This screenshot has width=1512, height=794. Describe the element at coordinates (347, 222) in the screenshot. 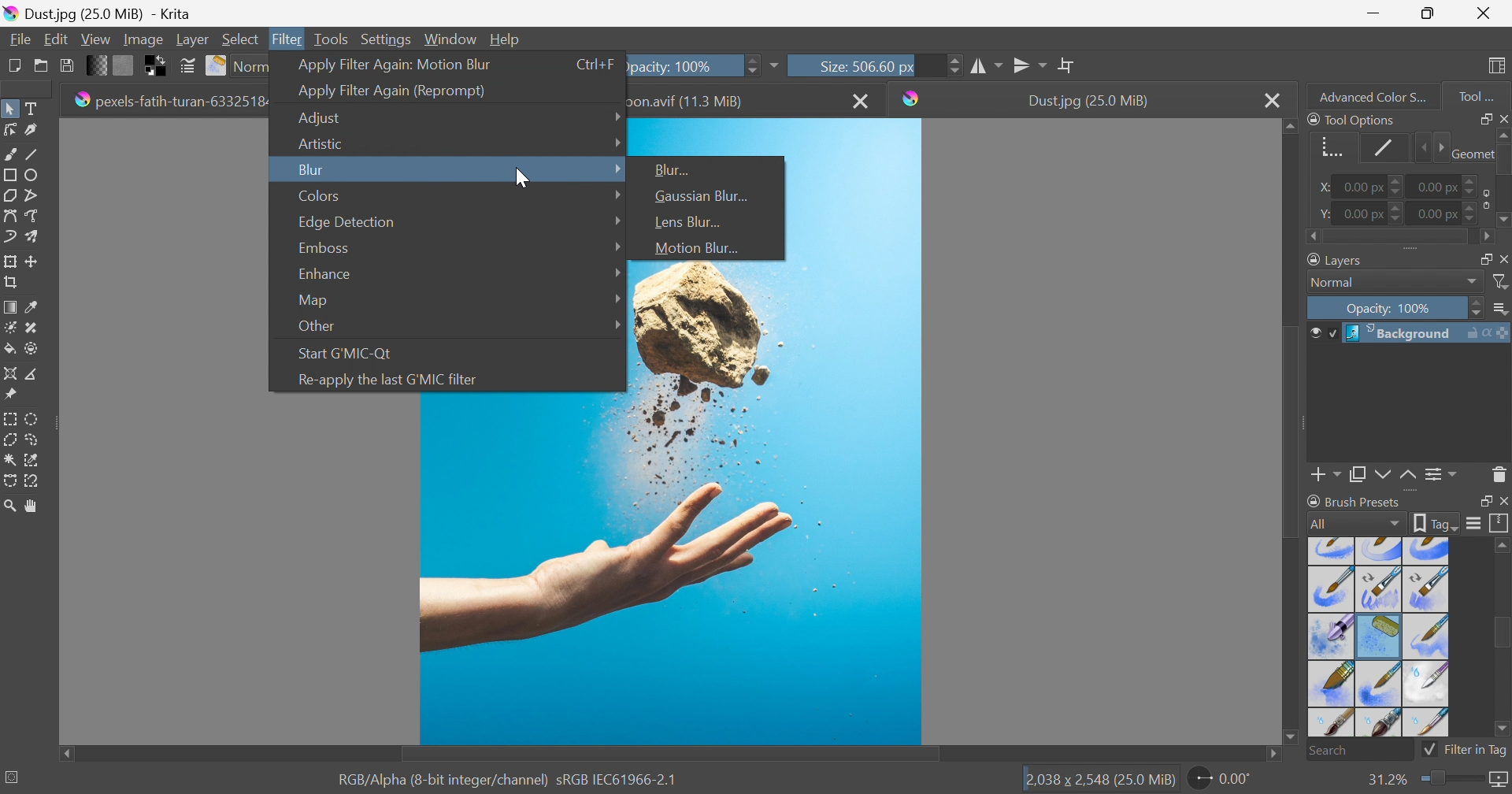

I see `Edge Detection` at that location.